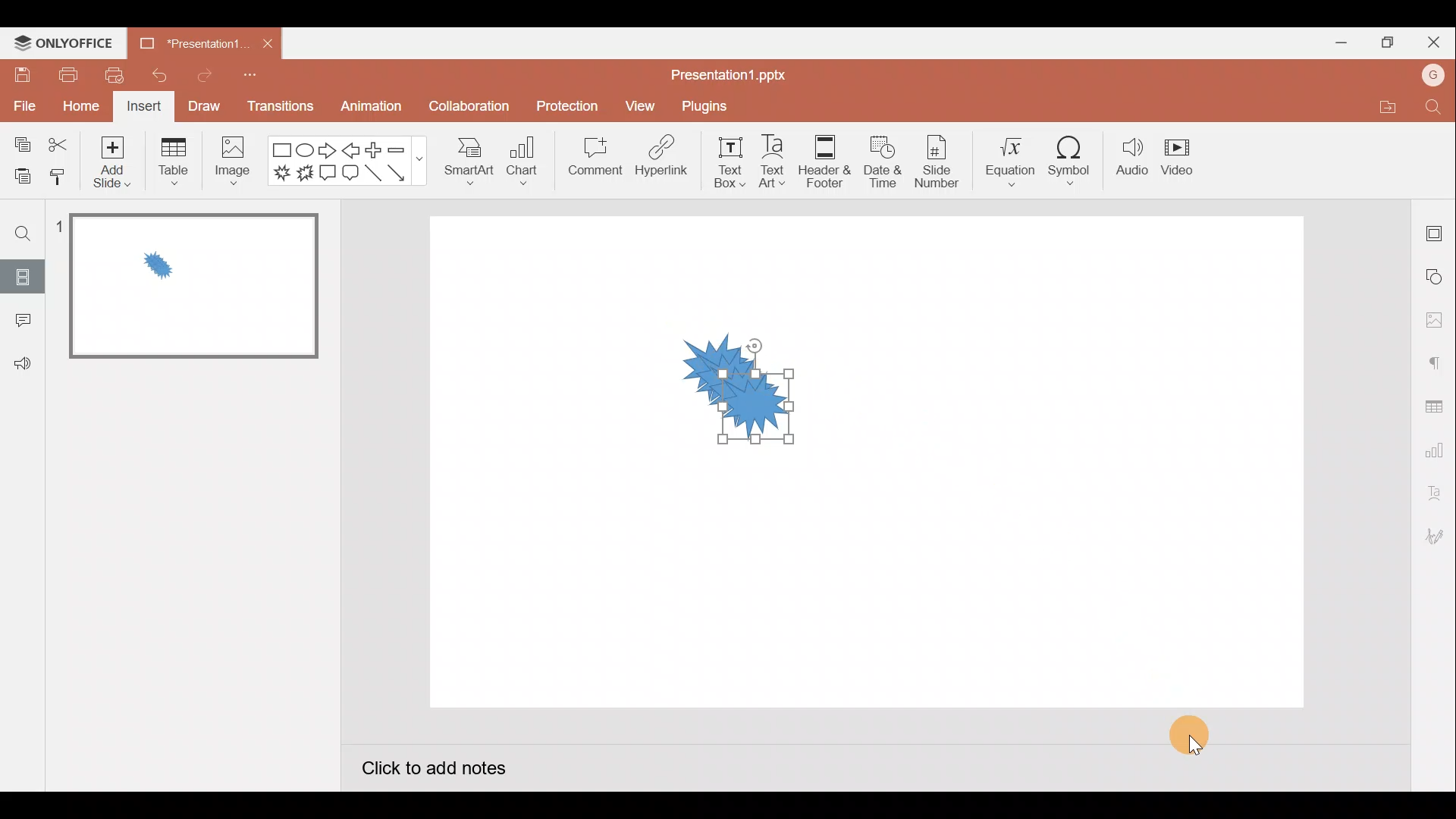 The width and height of the screenshot is (1456, 819). What do you see at coordinates (111, 162) in the screenshot?
I see `Add slide` at bounding box center [111, 162].